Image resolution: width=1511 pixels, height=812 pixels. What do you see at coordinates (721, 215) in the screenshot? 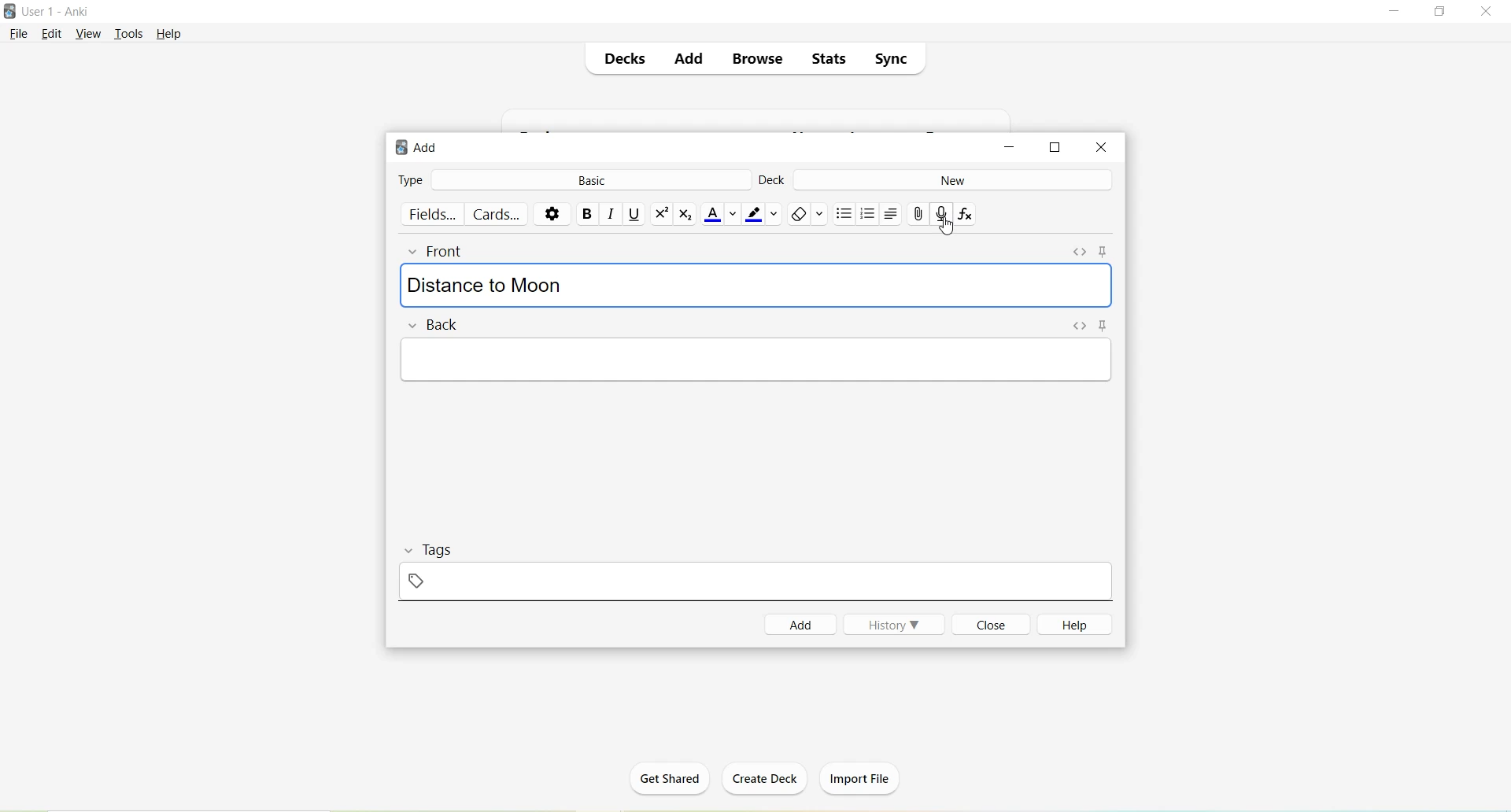
I see `Text color` at bounding box center [721, 215].